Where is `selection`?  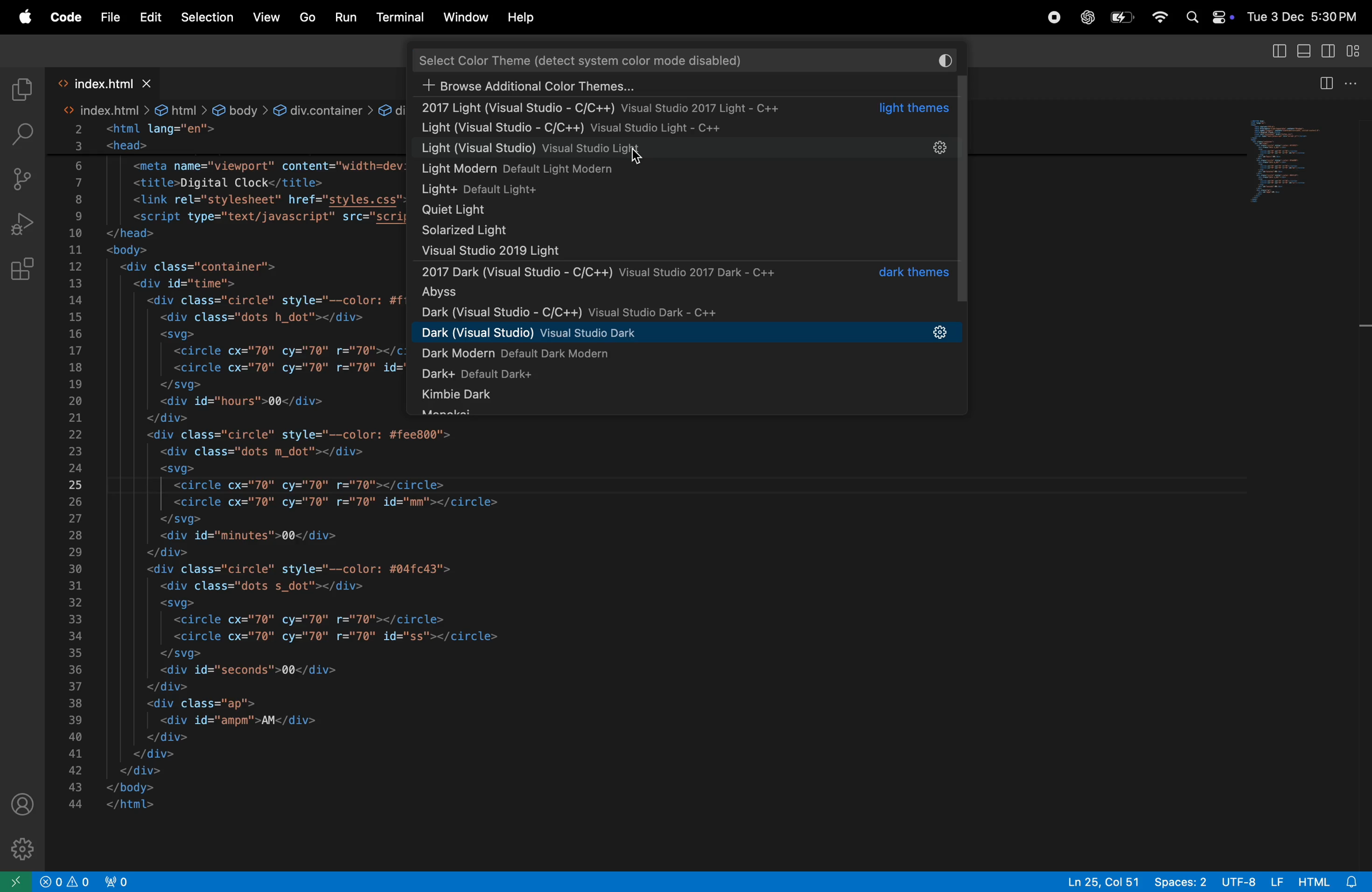
selection is located at coordinates (207, 16).